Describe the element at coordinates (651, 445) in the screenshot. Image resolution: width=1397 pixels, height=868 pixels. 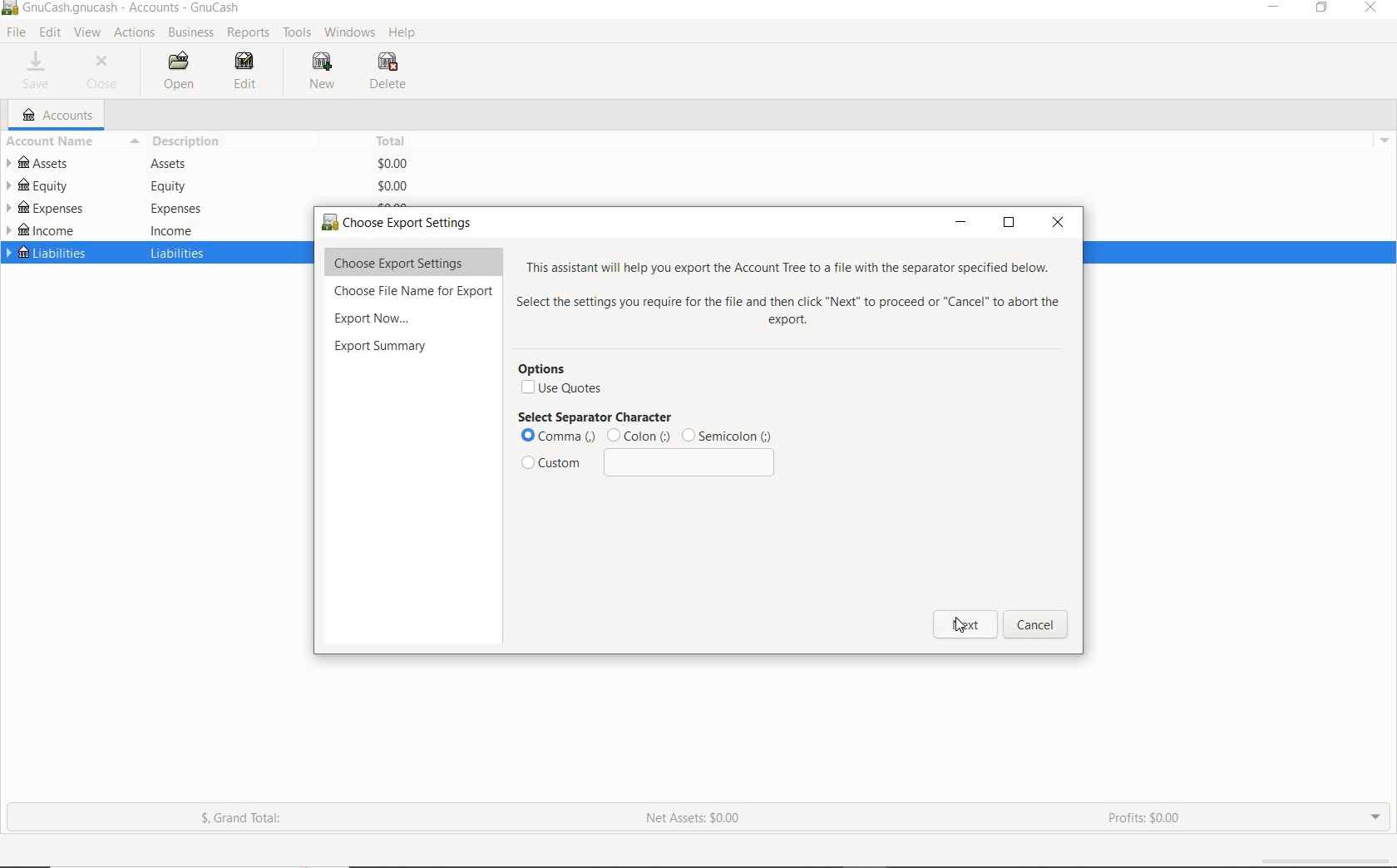
I see `select separator character` at that location.